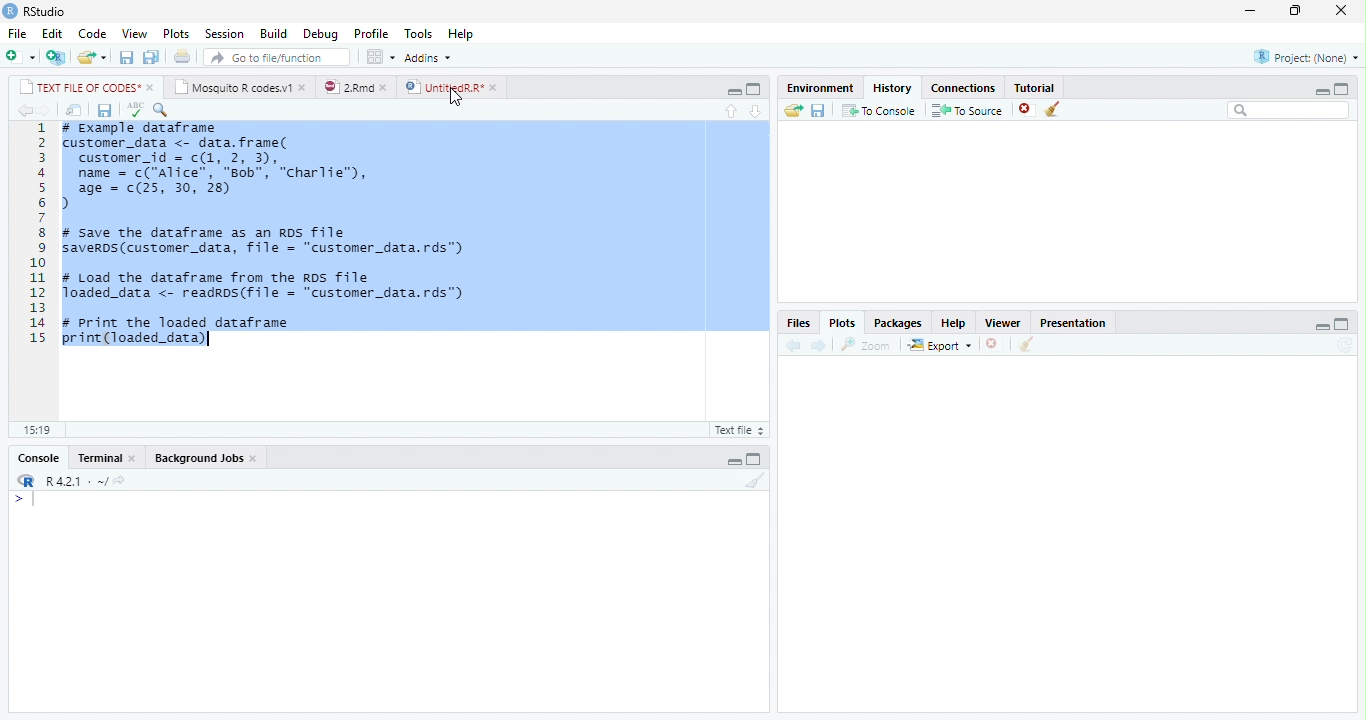 Image resolution: width=1366 pixels, height=720 pixels. Describe the element at coordinates (92, 57) in the screenshot. I see `open file` at that location.